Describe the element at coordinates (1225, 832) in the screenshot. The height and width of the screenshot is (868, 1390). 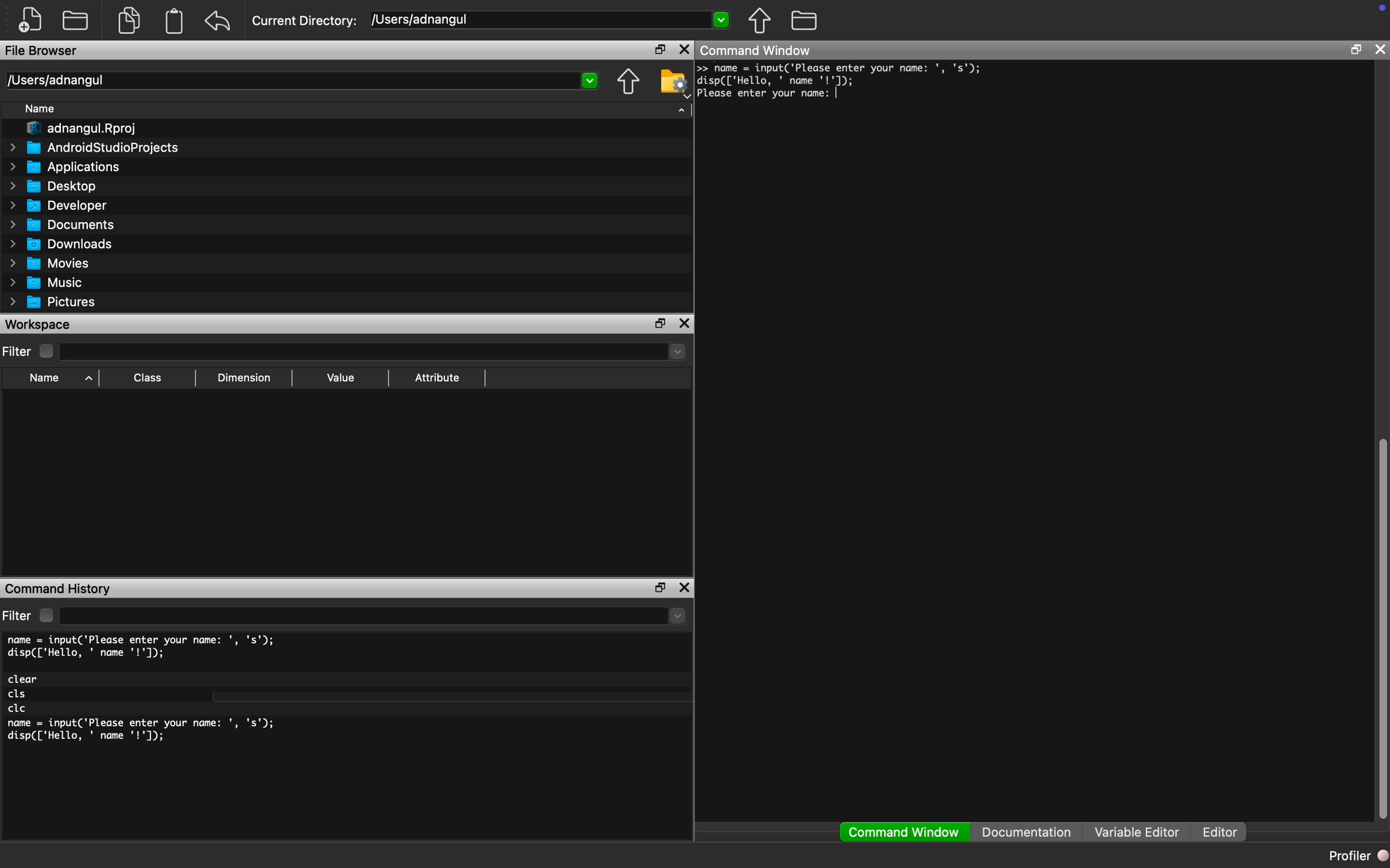
I see `Editor` at that location.